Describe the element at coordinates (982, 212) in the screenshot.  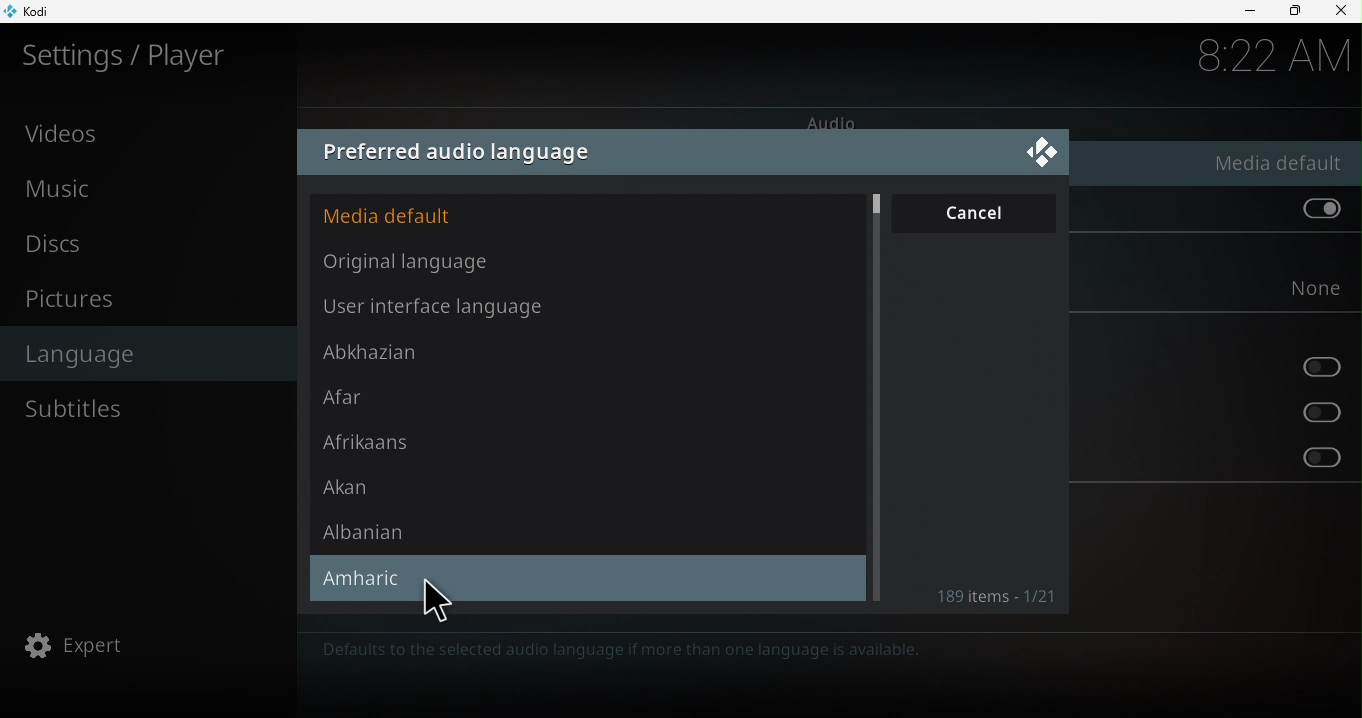
I see `Cancel` at that location.